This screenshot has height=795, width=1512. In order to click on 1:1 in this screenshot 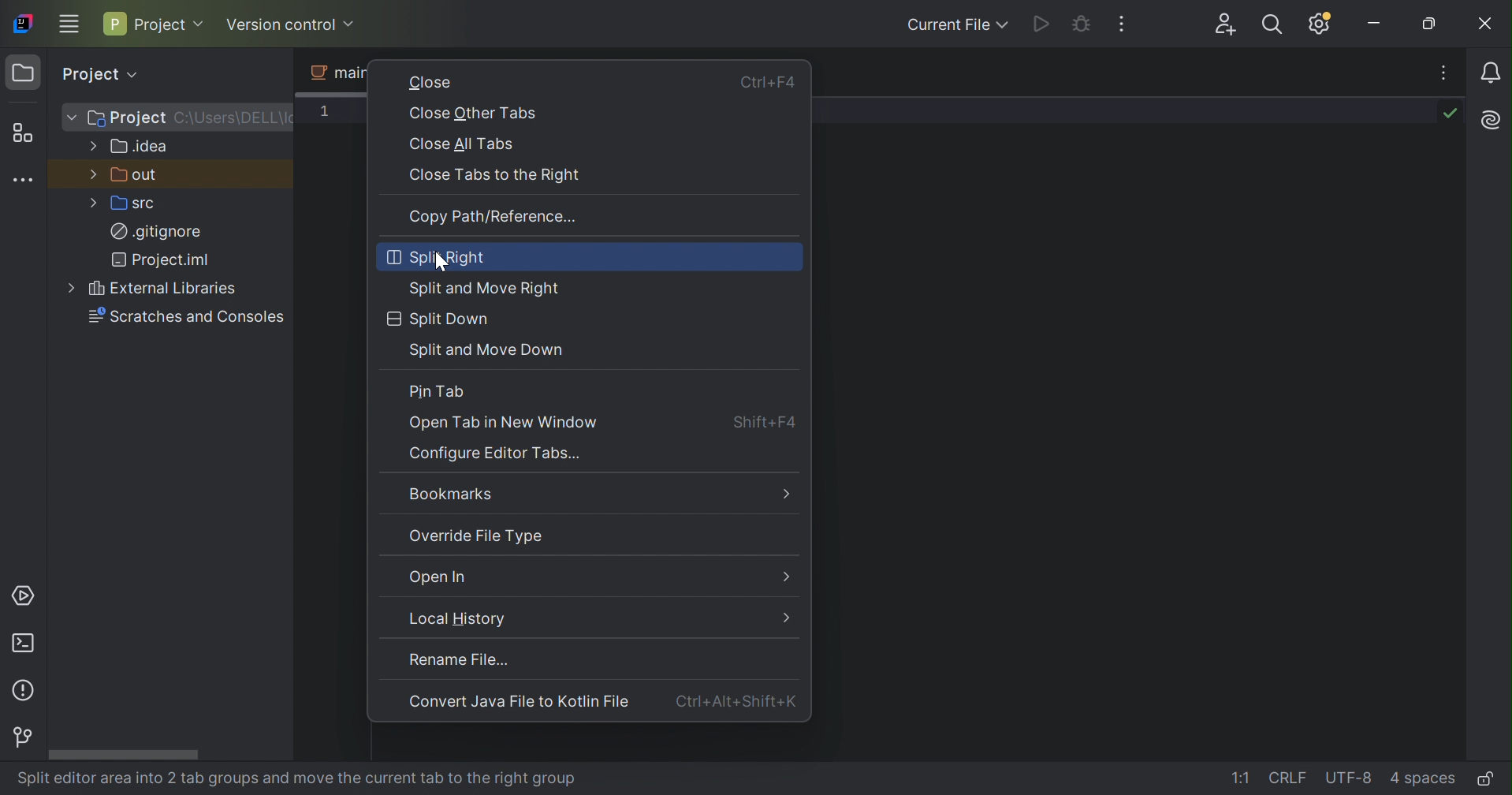, I will do `click(1242, 780)`.